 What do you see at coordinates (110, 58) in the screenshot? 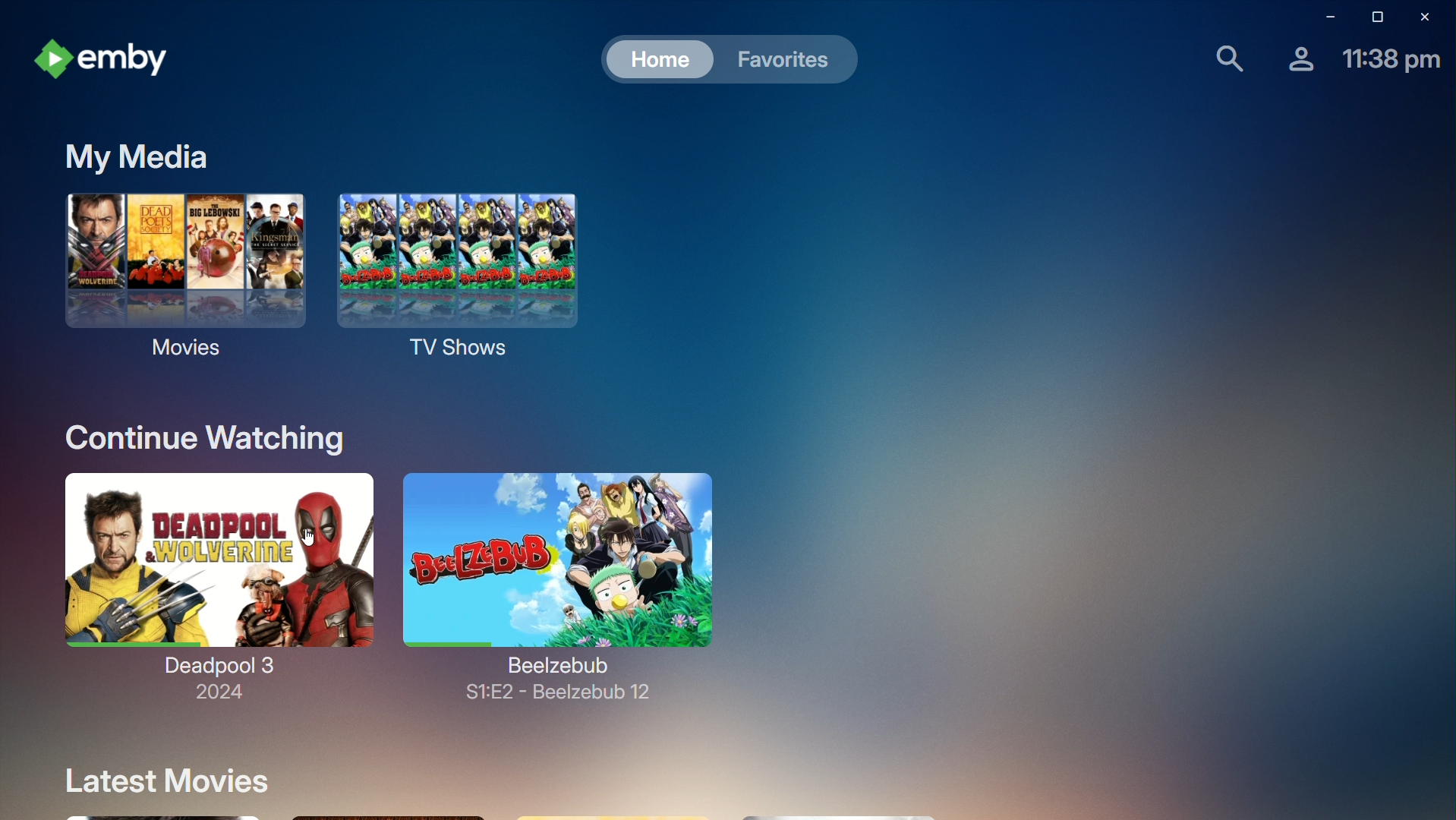
I see `emby` at bounding box center [110, 58].